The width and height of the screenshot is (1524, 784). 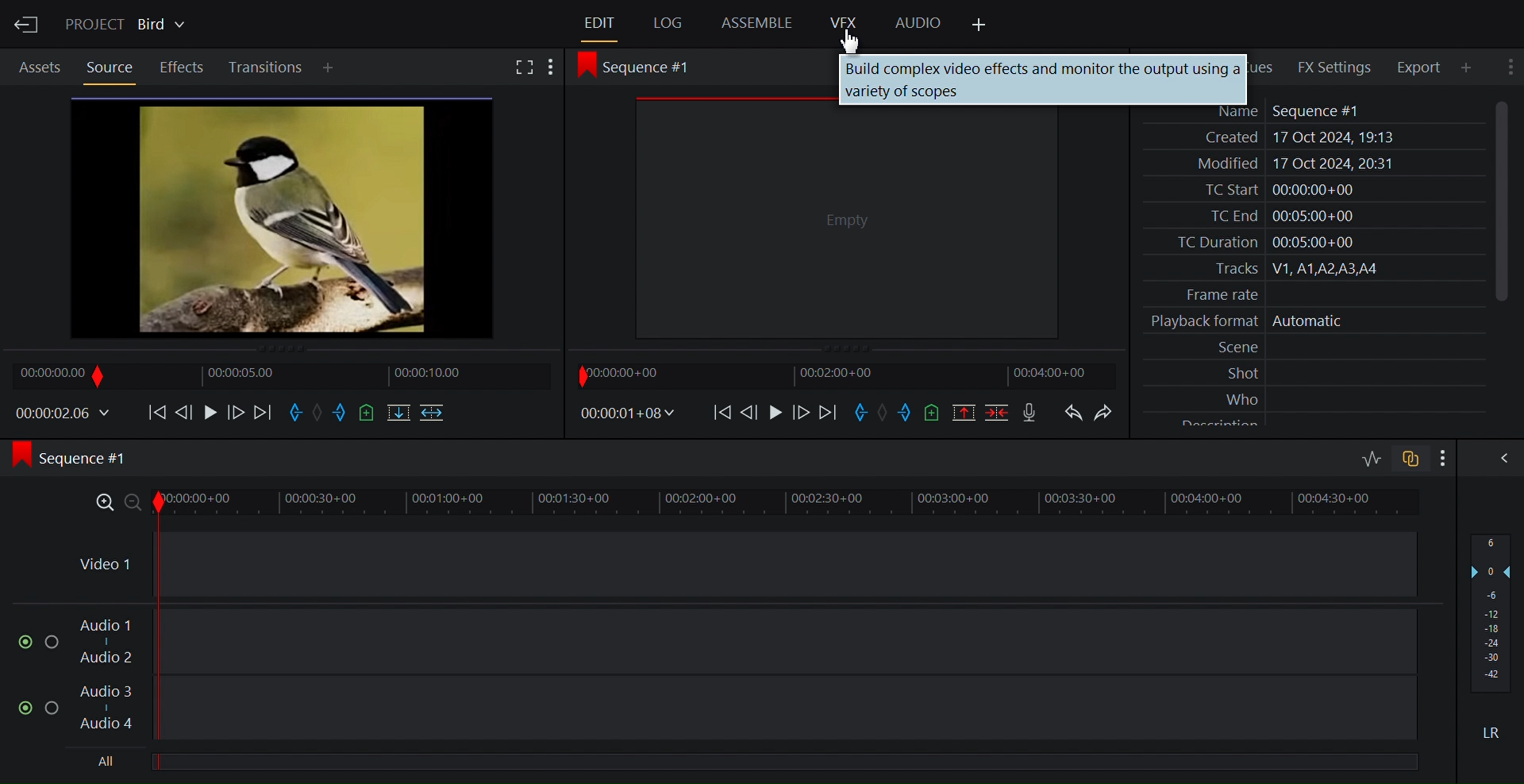 What do you see at coordinates (756, 23) in the screenshot?
I see `Assemble` at bounding box center [756, 23].